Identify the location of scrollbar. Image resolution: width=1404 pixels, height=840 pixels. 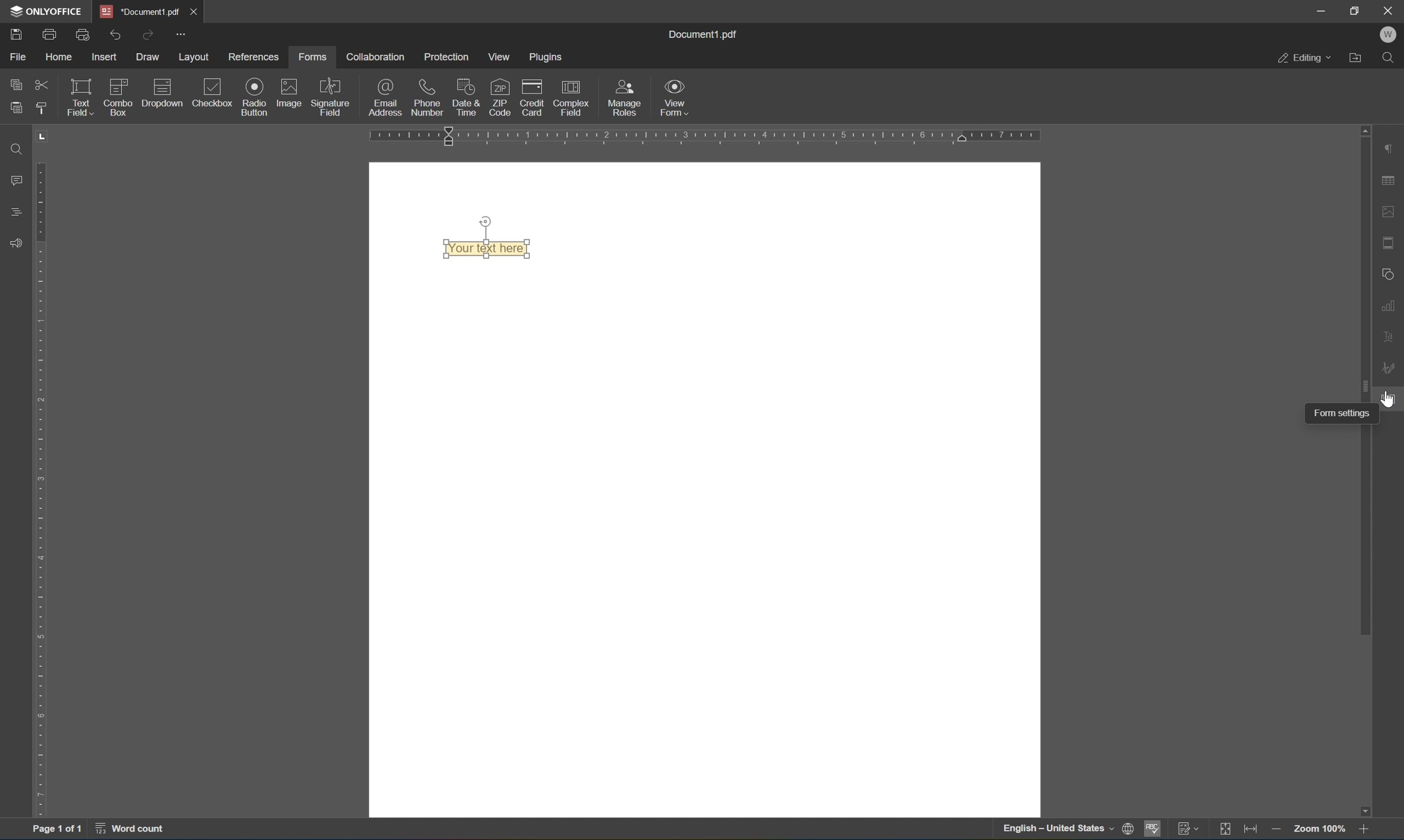
(1363, 528).